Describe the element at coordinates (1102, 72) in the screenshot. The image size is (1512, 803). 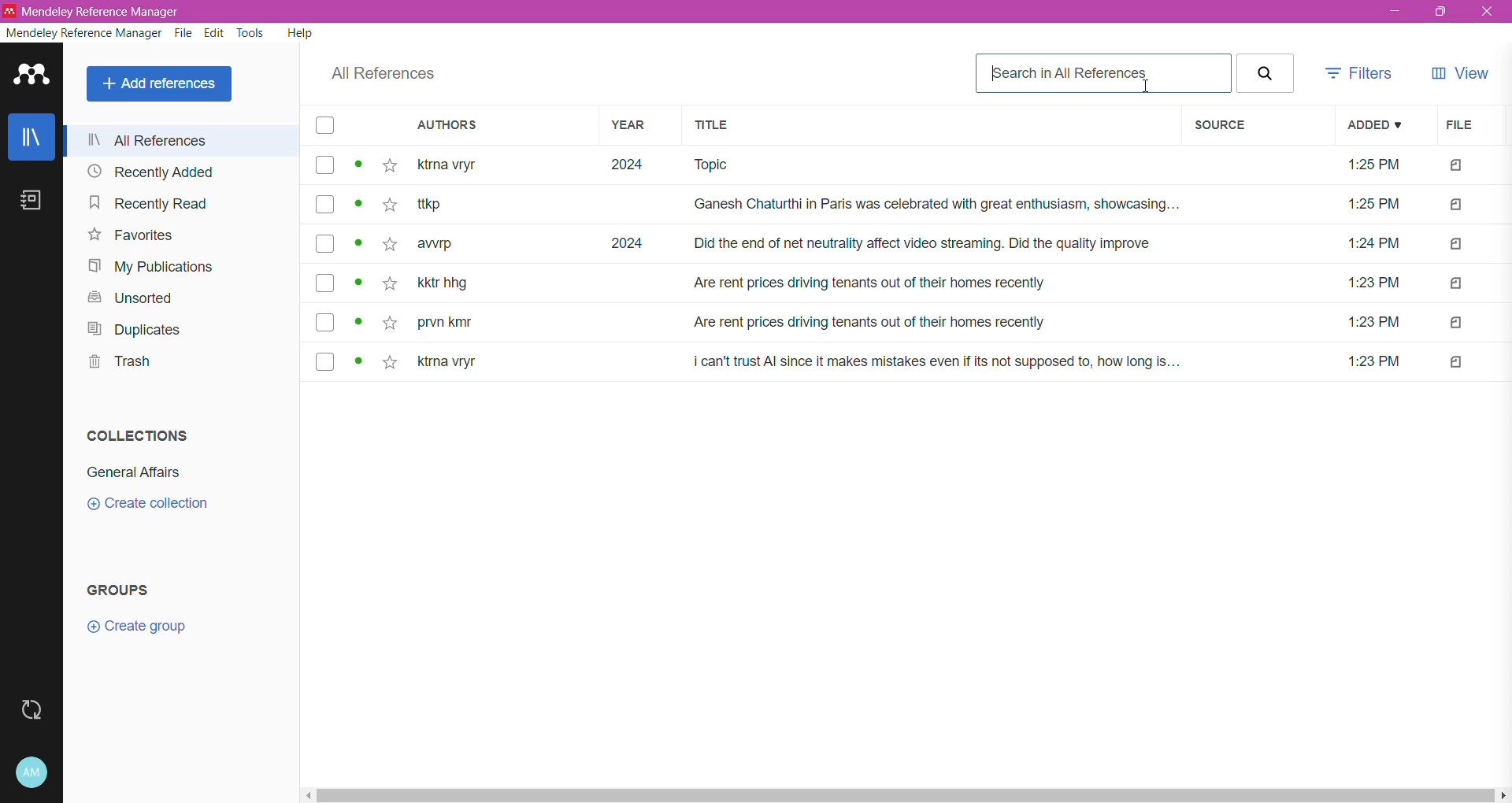
I see `| [search in All References. |` at that location.